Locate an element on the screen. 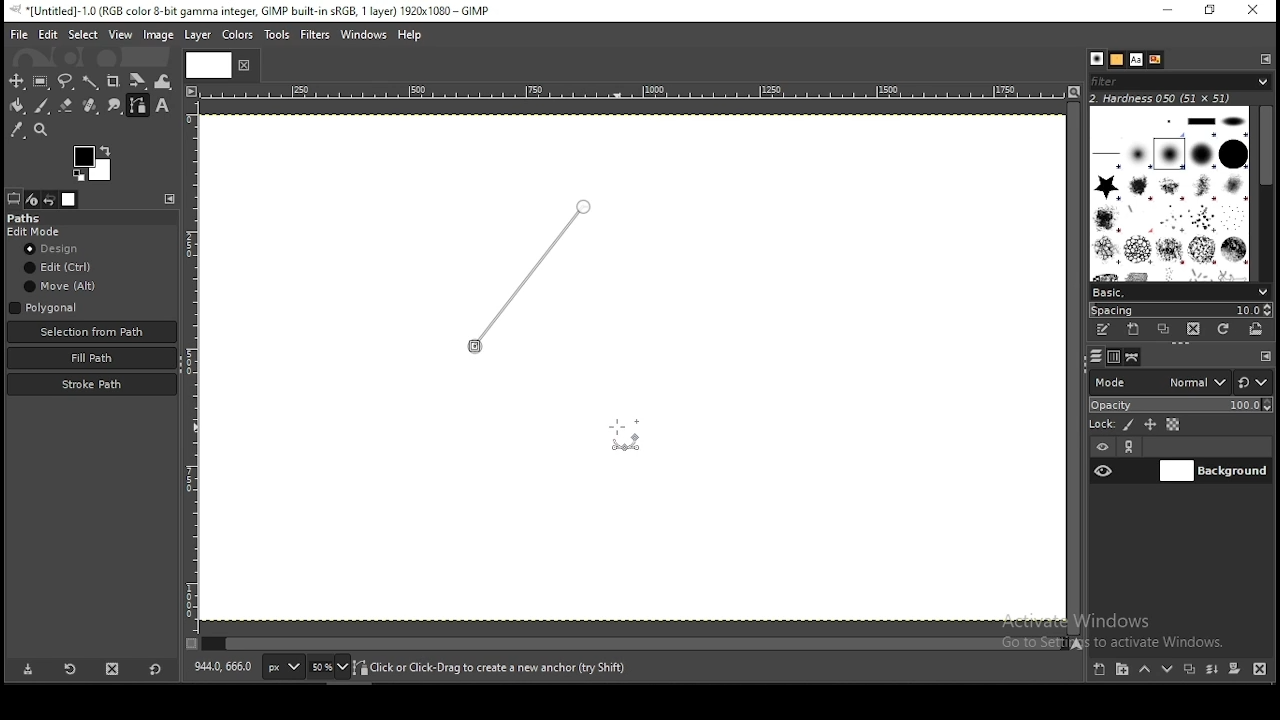 This screenshot has height=720, width=1280. text is located at coordinates (1135, 59).